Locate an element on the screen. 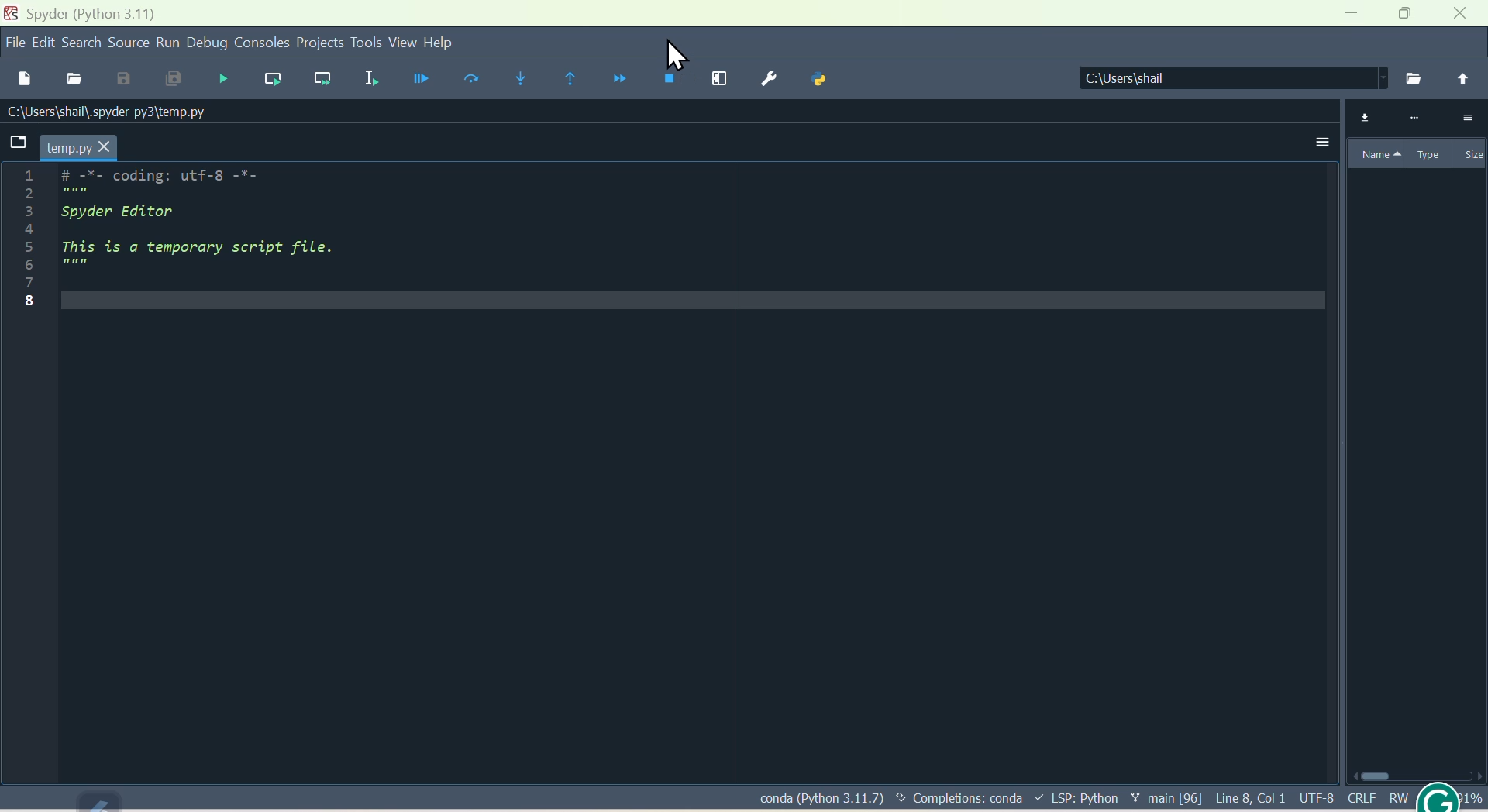  Tools  is located at coordinates (367, 43).